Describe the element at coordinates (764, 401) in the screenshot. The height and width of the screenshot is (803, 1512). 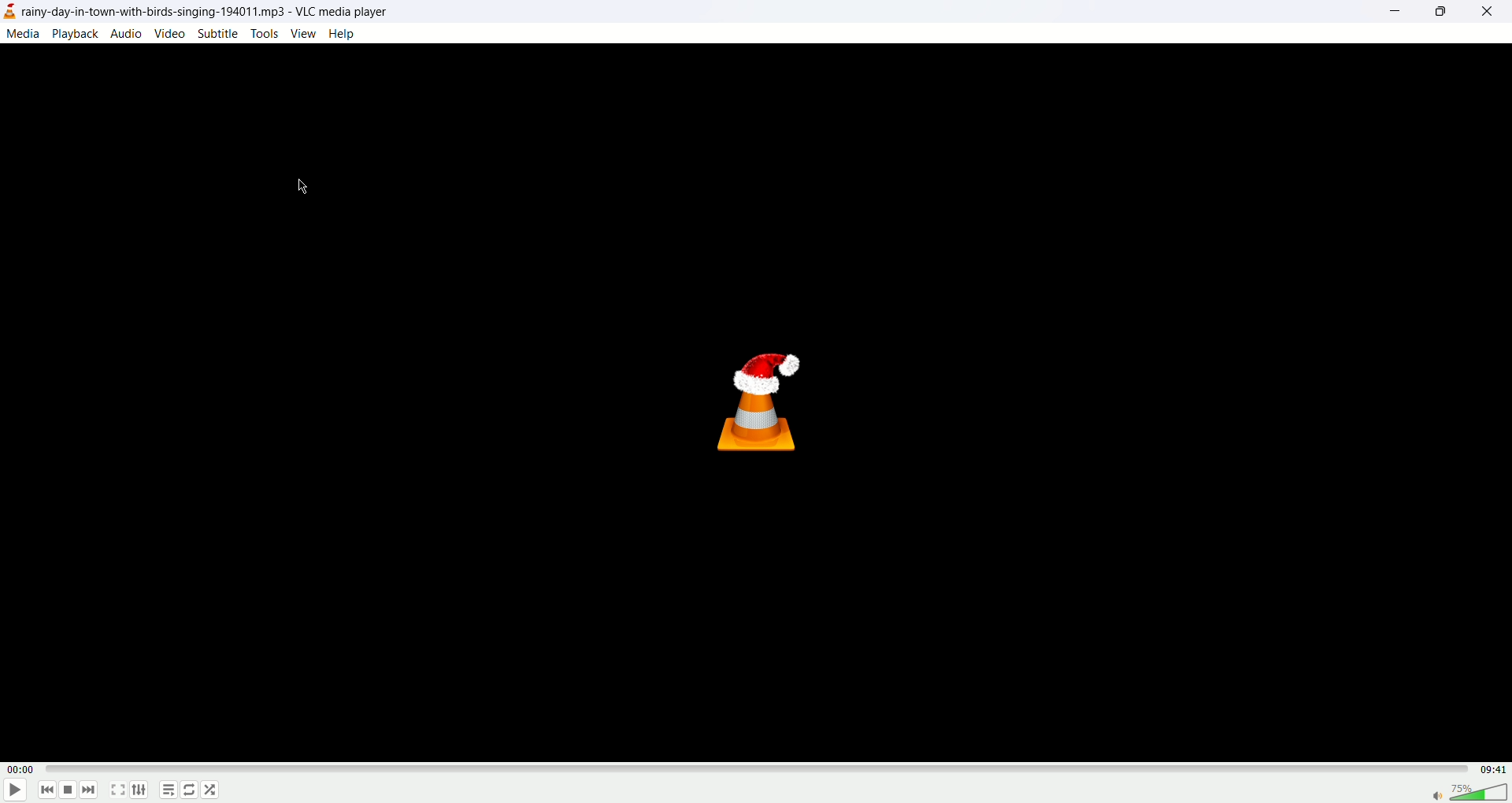
I see `VLC Icon` at that location.